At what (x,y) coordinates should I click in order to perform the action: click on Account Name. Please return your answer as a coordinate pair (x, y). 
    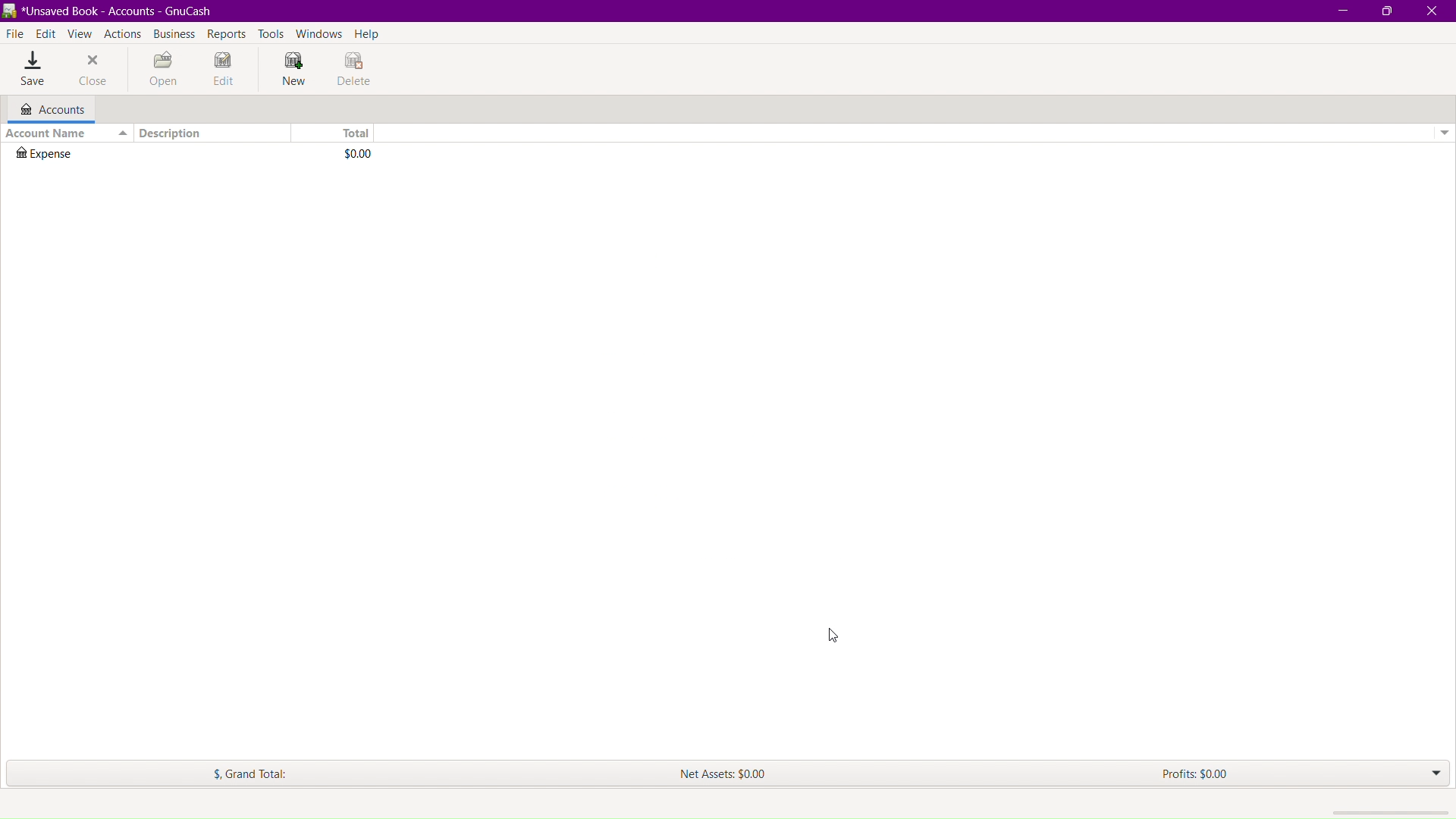
    Looking at the image, I should click on (67, 133).